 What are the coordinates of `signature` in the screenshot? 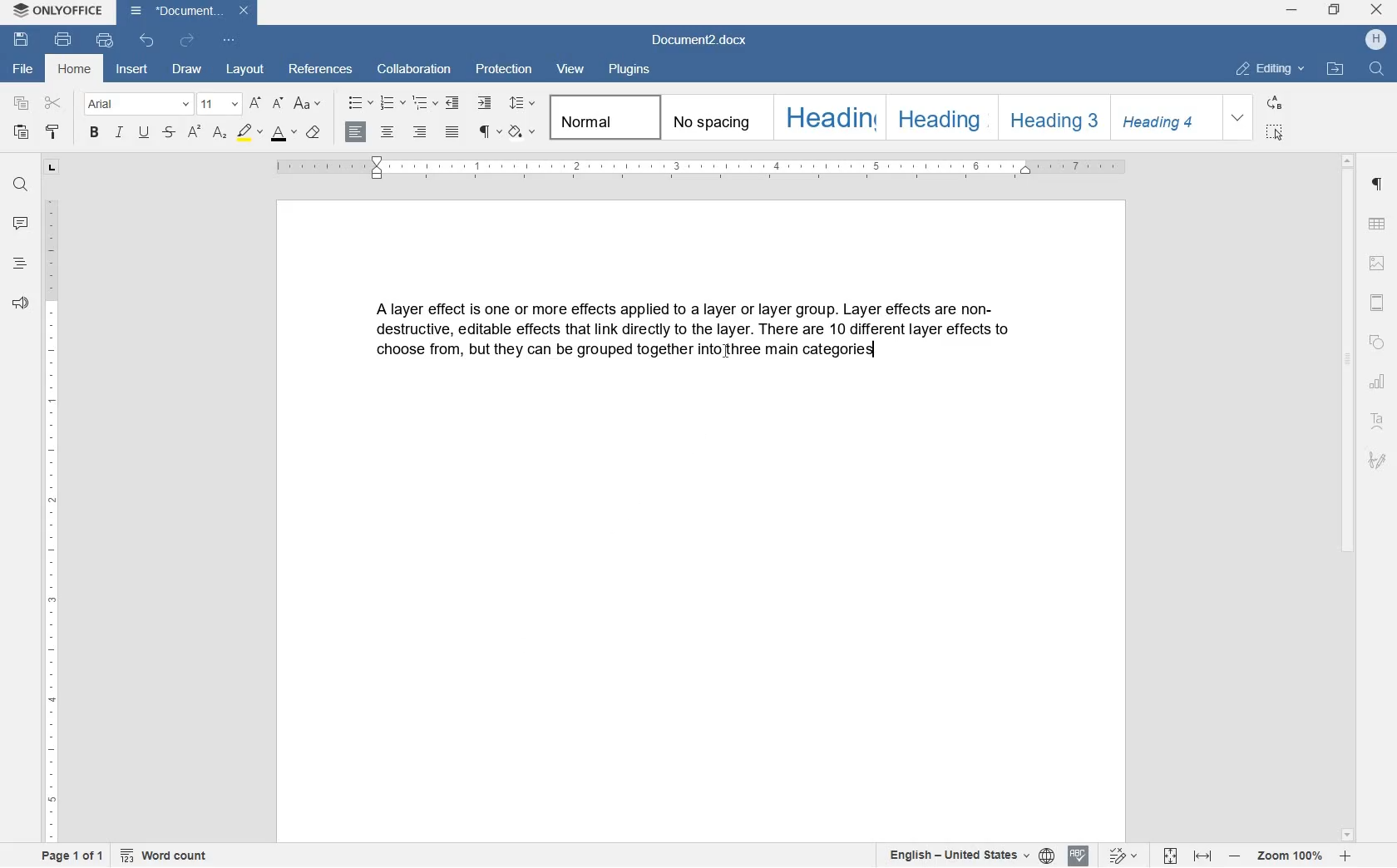 It's located at (1378, 461).